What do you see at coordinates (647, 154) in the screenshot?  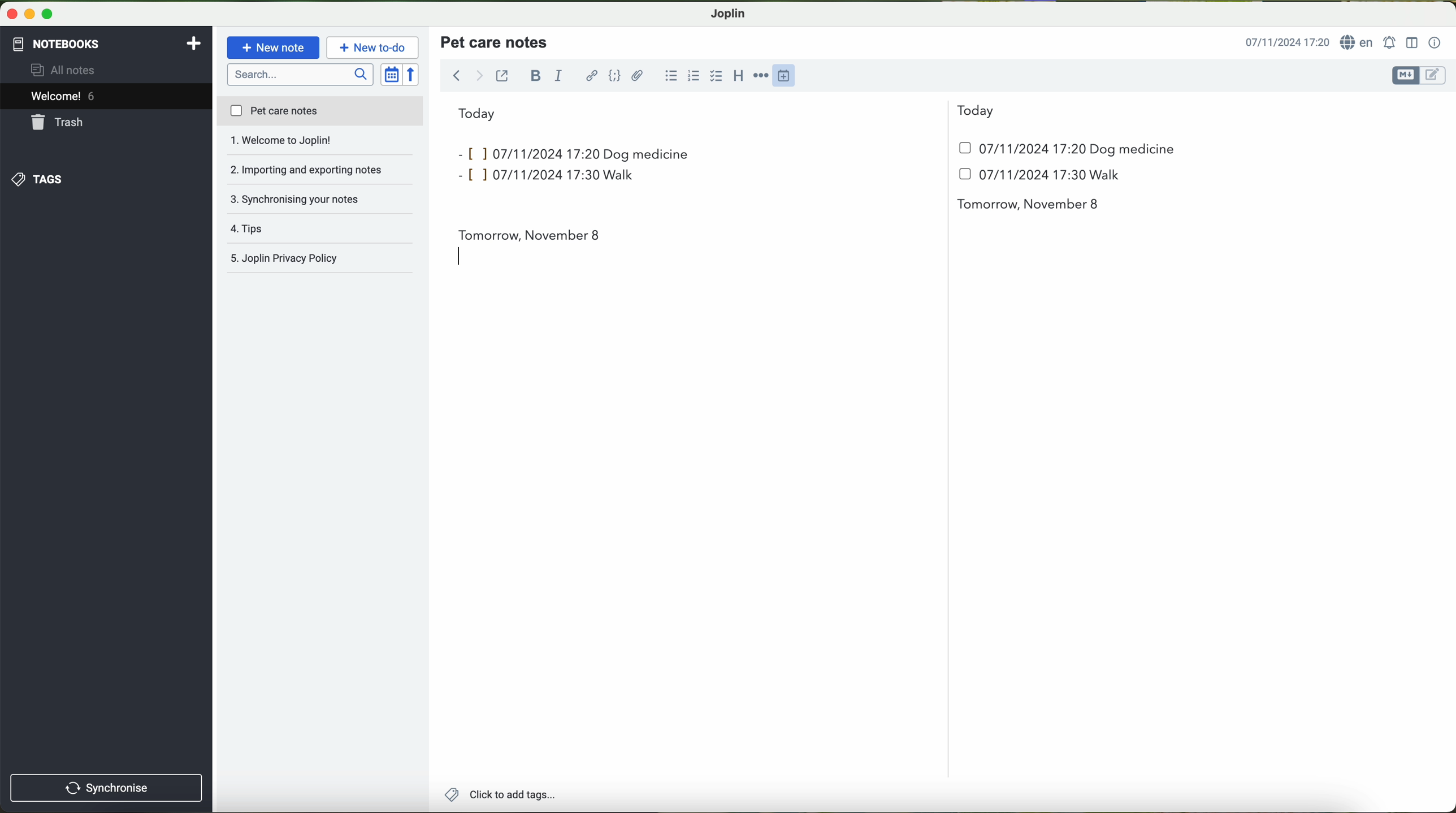 I see `dog medicine` at bounding box center [647, 154].